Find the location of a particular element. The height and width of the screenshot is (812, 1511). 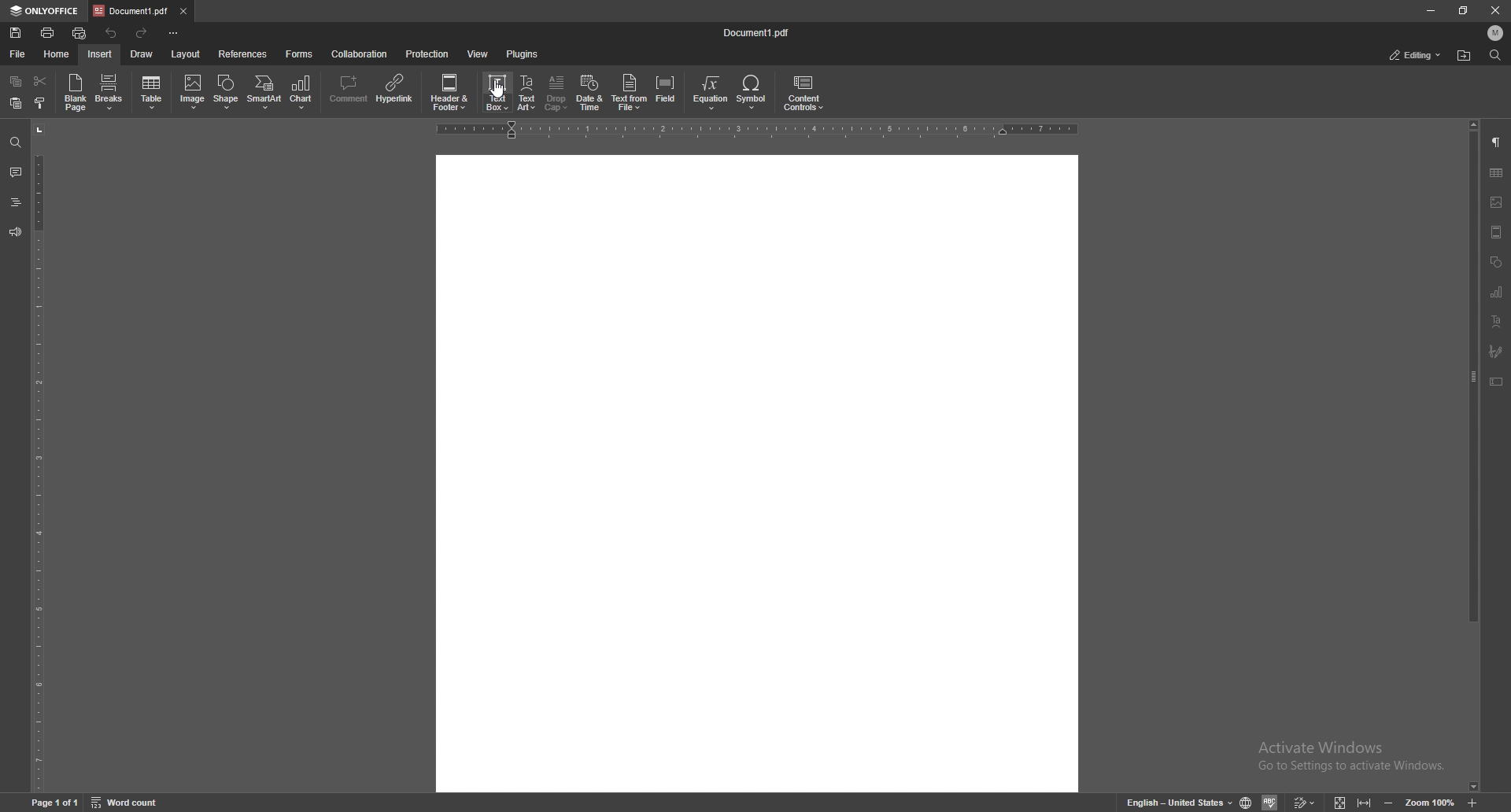

field is located at coordinates (667, 92).